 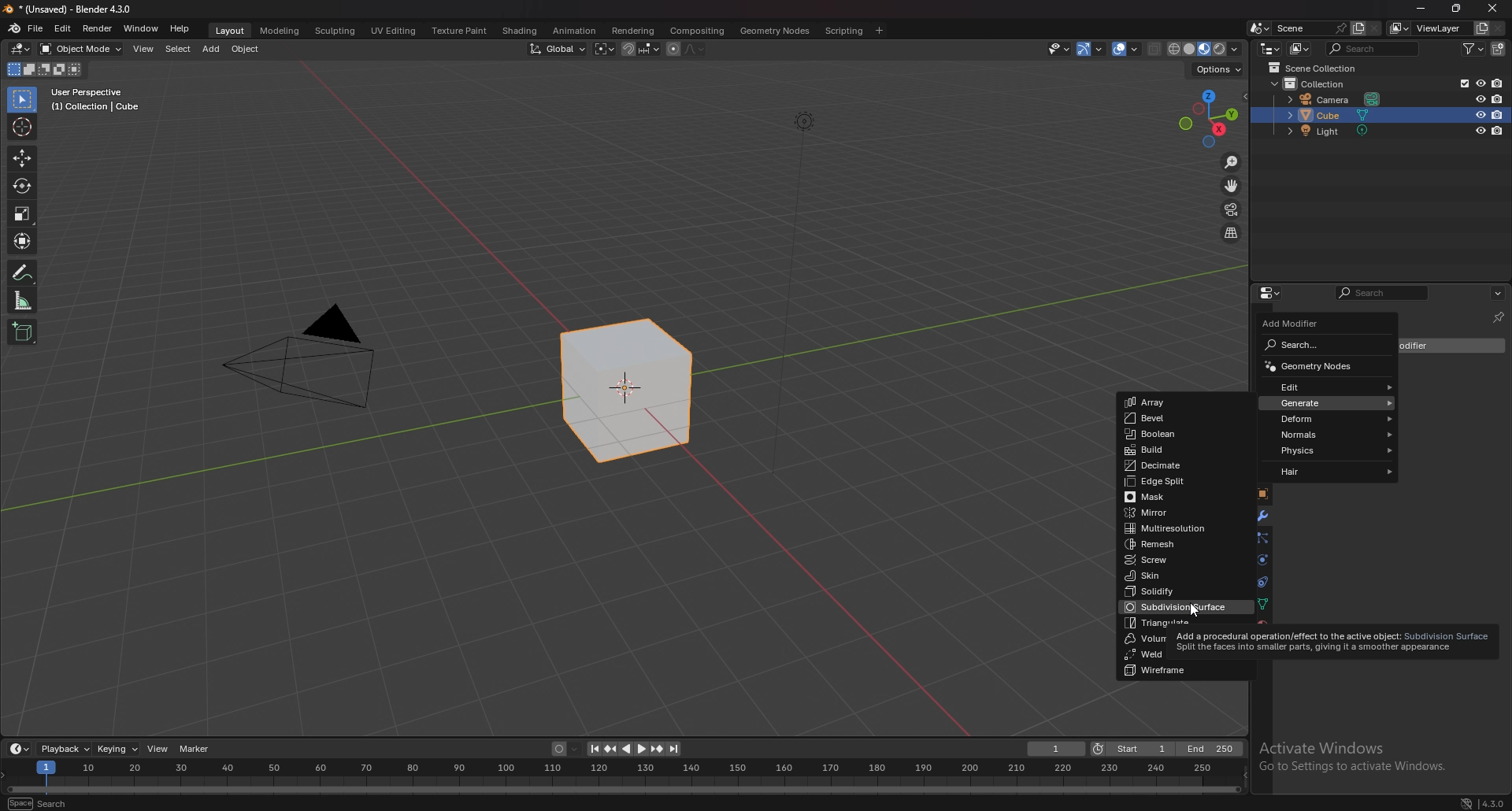 I want to click on minimize, so click(x=1421, y=9).